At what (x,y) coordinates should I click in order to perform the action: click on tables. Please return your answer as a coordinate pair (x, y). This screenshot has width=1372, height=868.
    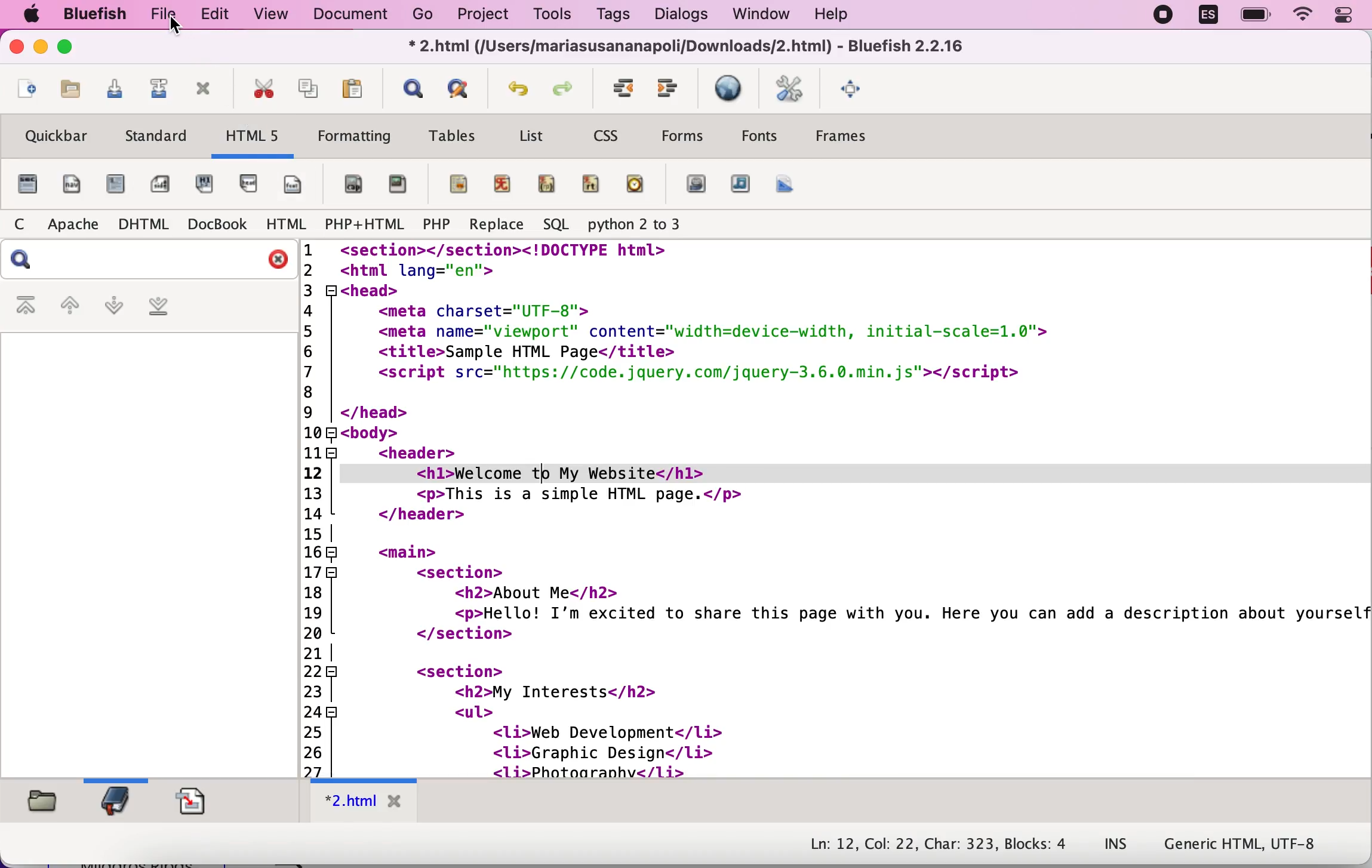
    Looking at the image, I should click on (450, 138).